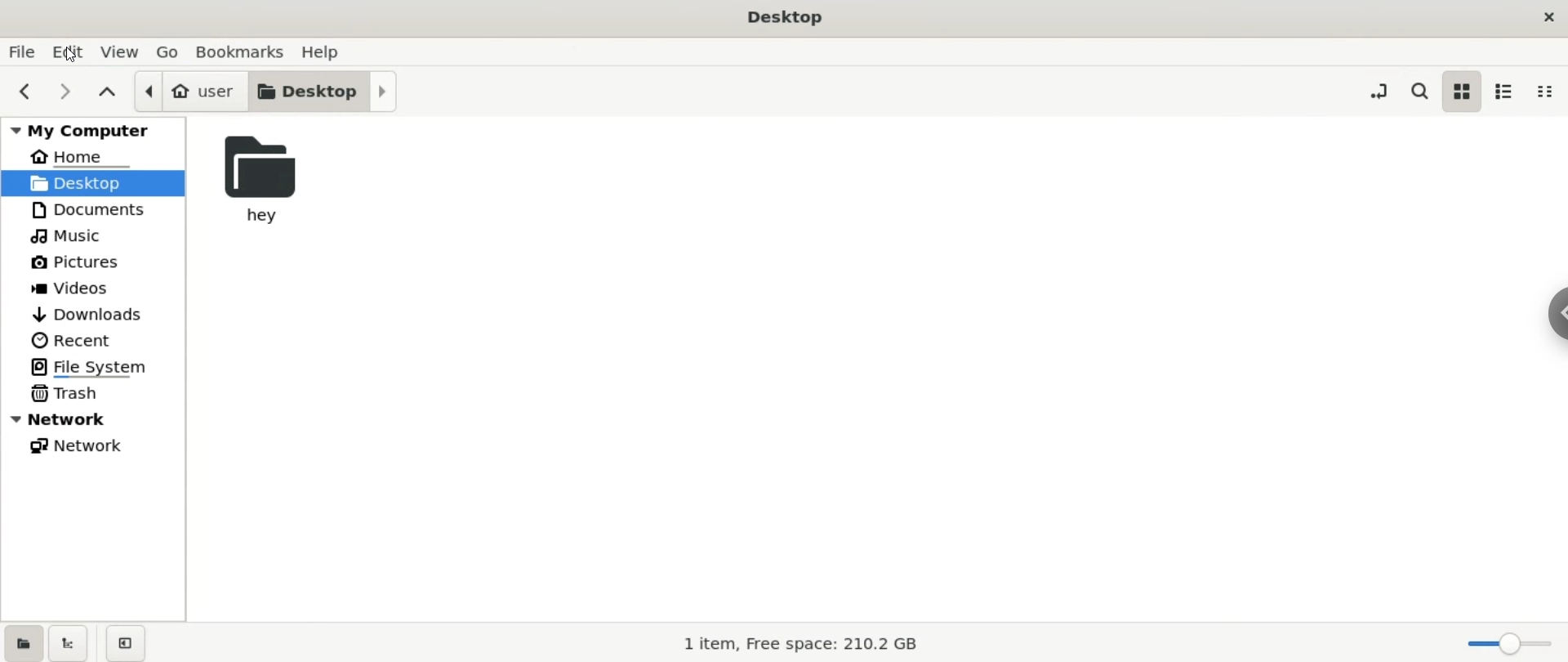  I want to click on toggle location entry, so click(1379, 92).